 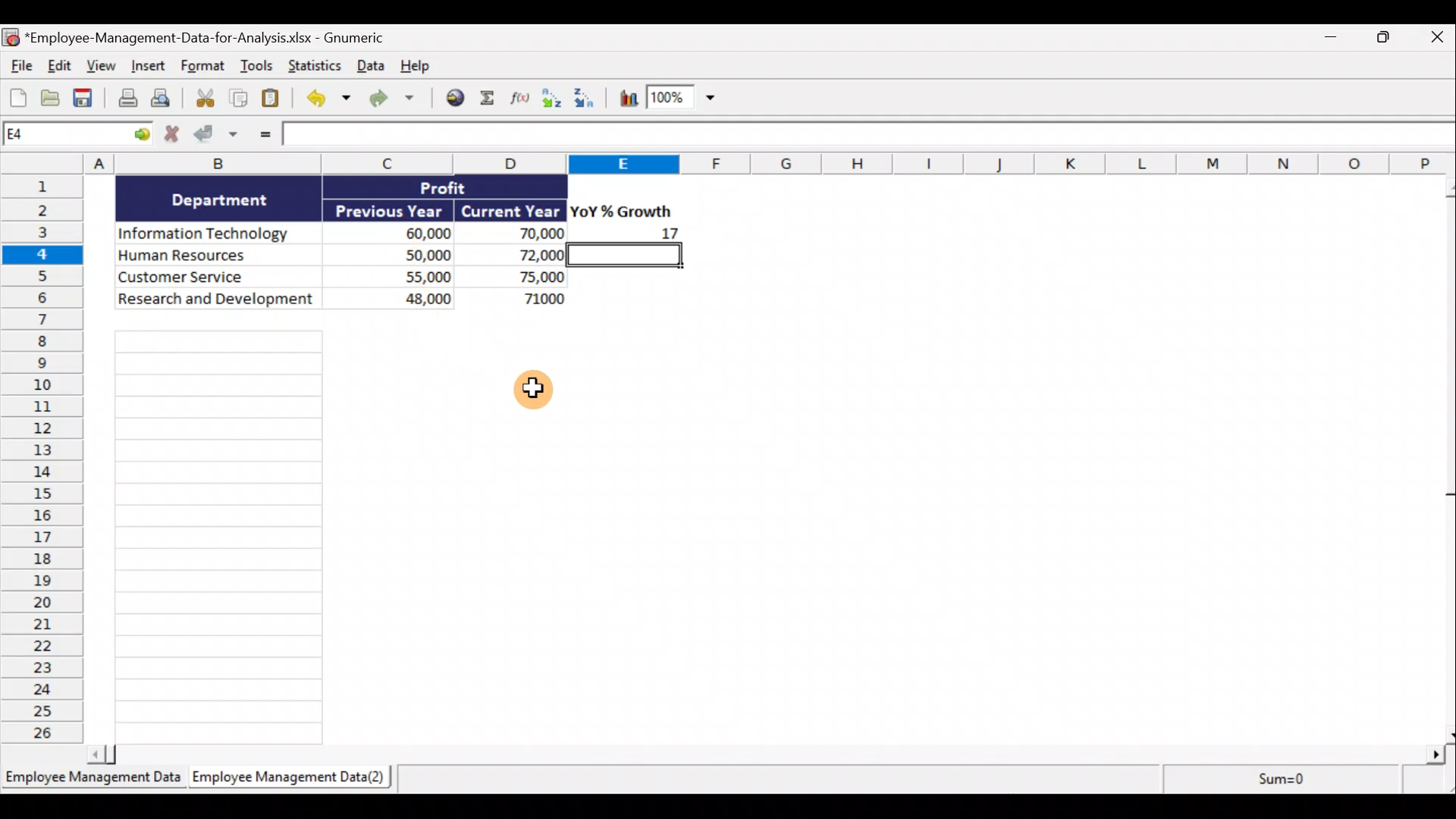 I want to click on Formula bar, so click(x=870, y=136).